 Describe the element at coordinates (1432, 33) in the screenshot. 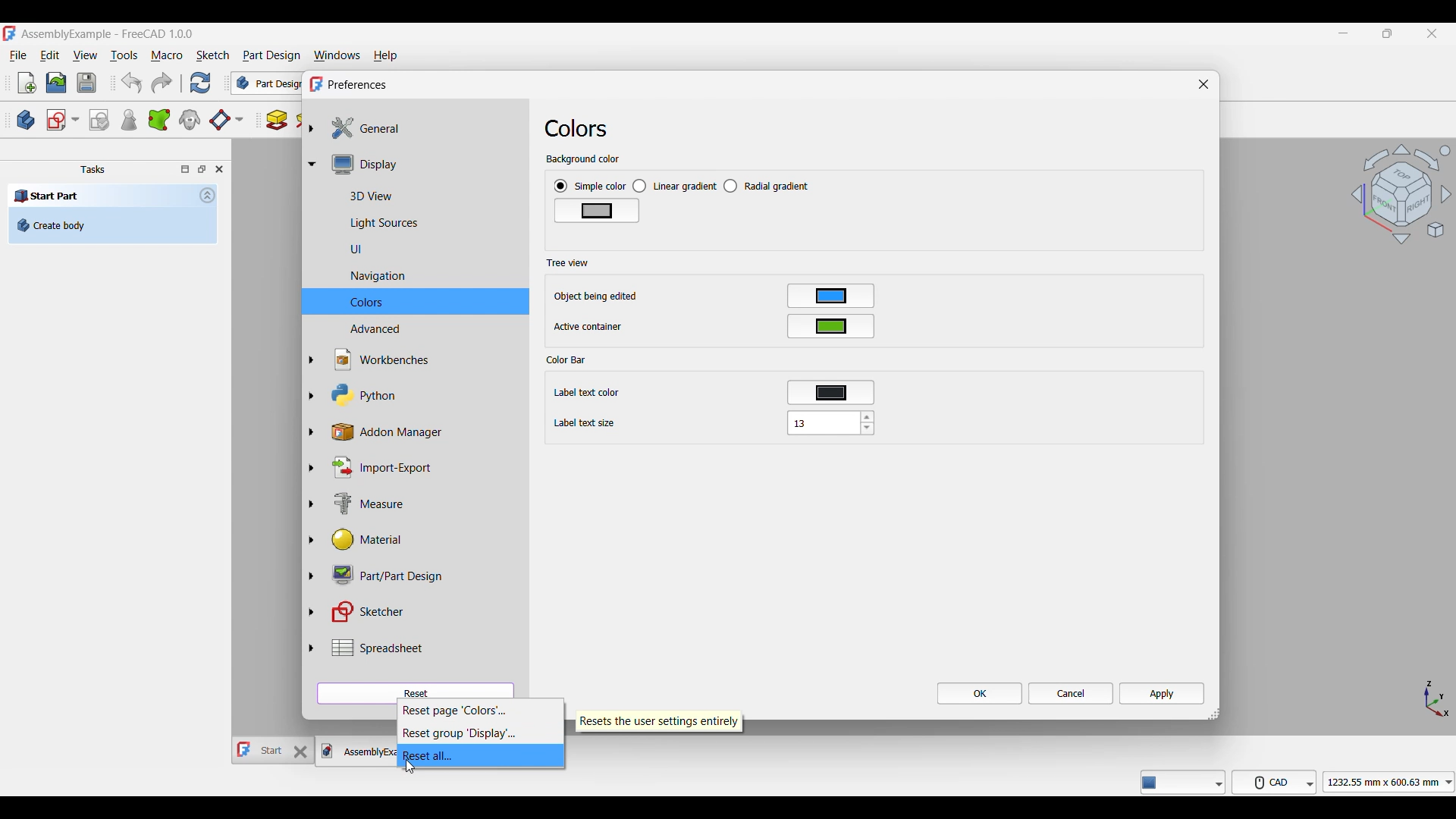

I see `Close interface` at that location.